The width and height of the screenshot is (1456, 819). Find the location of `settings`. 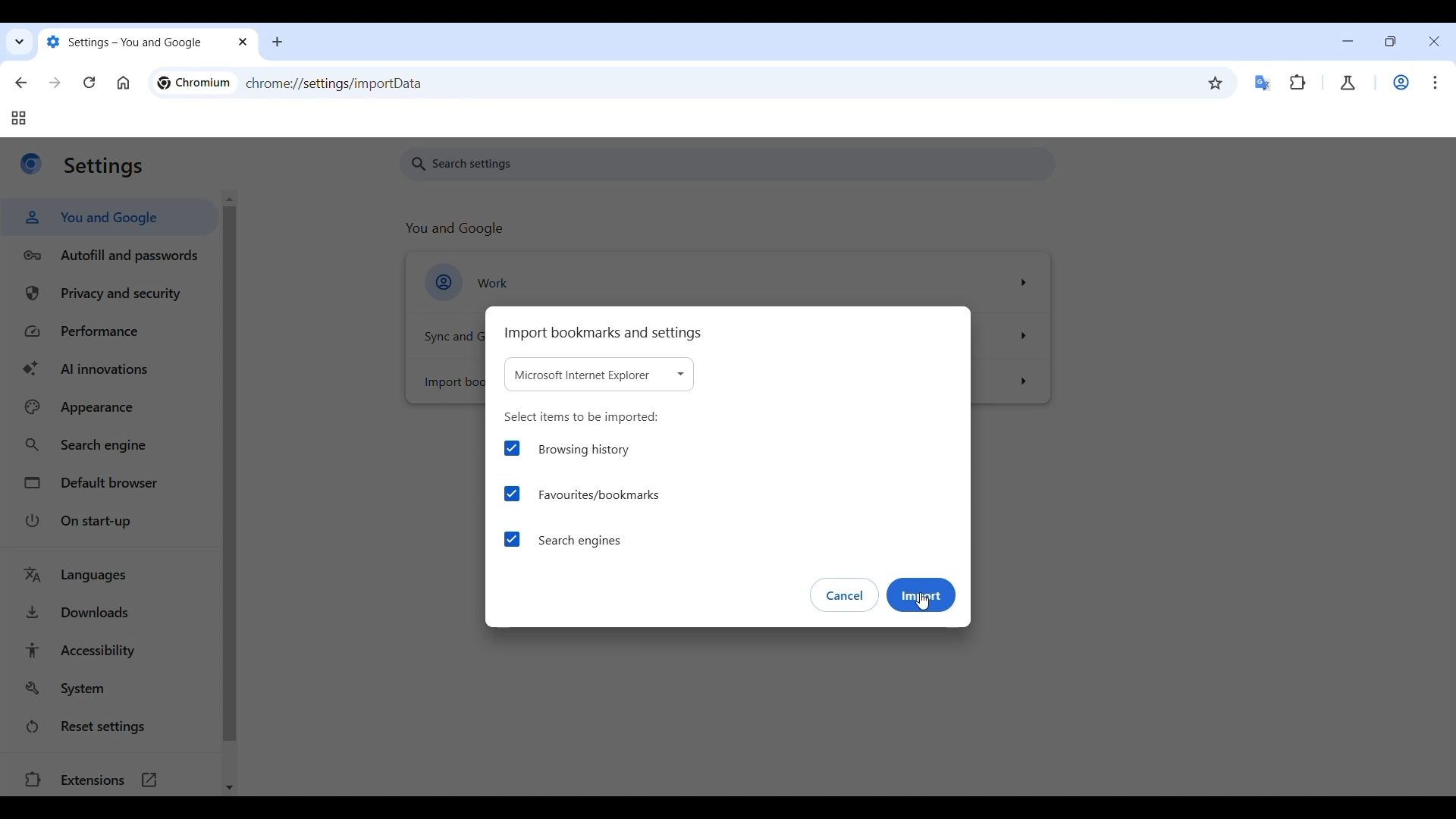

settings is located at coordinates (104, 167).